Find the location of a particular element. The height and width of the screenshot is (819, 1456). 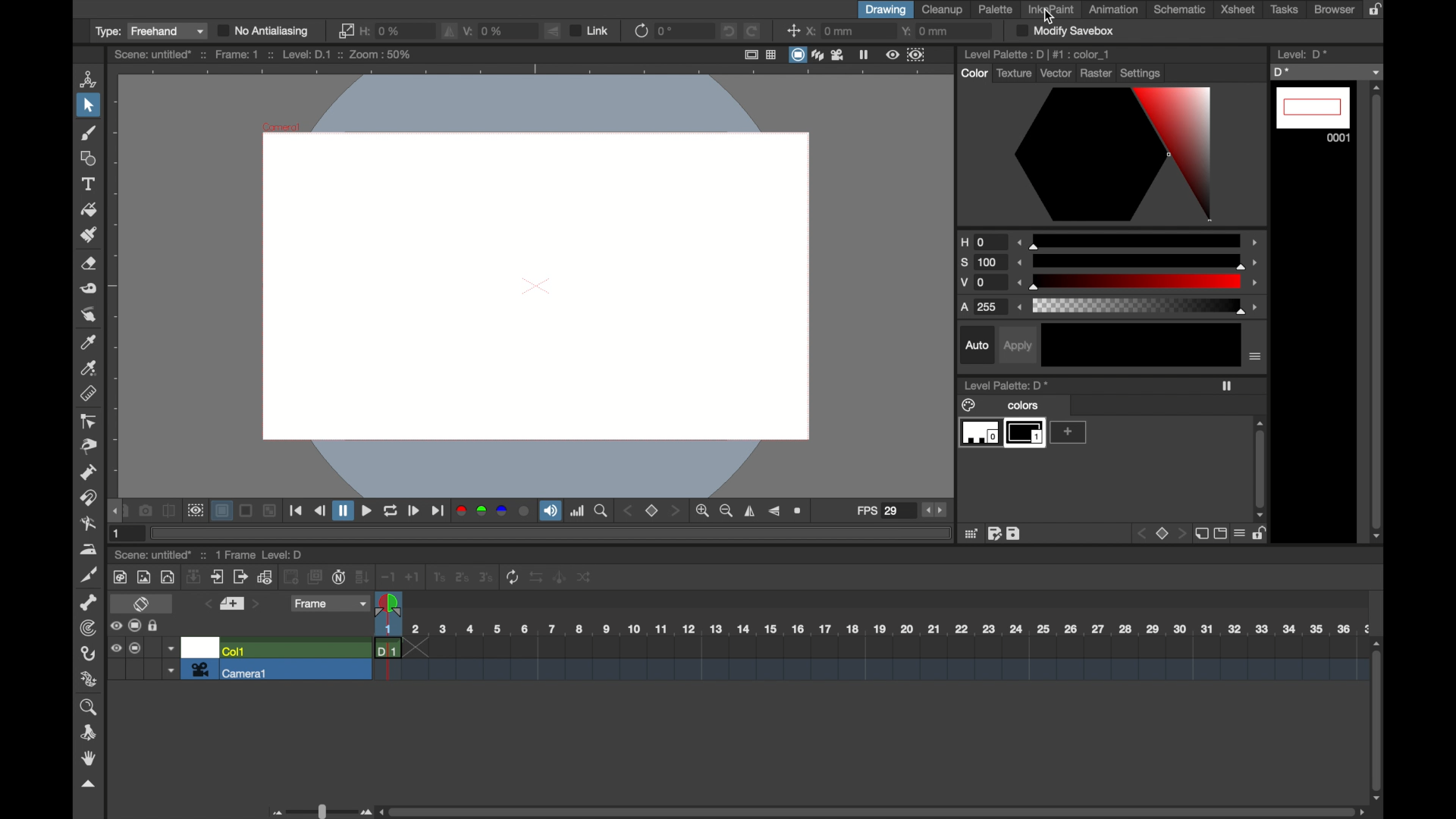

scene: untitled* :: 1 Frame Level: D is located at coordinates (210, 555).